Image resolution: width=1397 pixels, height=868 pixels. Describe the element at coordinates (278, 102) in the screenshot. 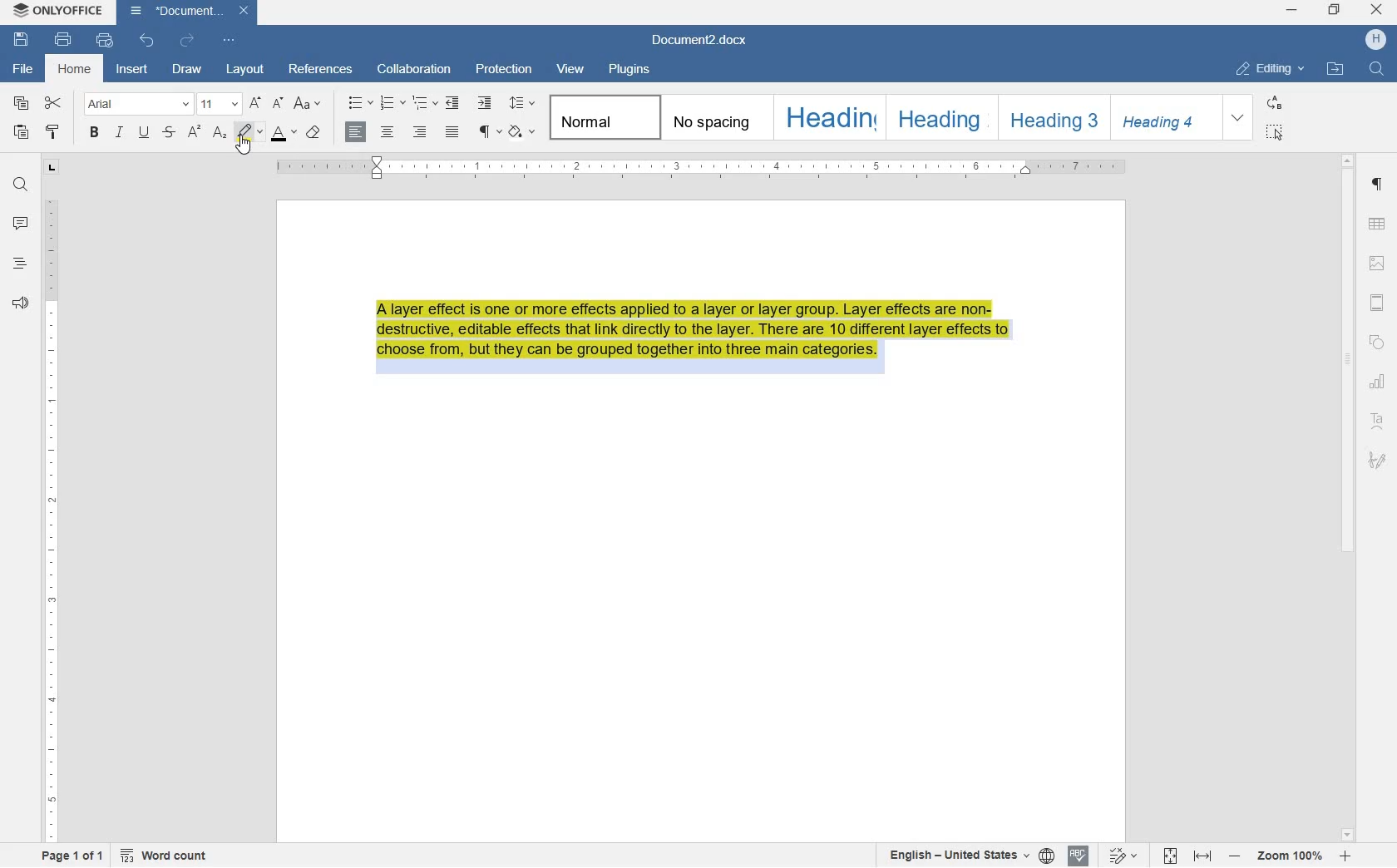

I see `DECREMENT FONT SIZE` at that location.